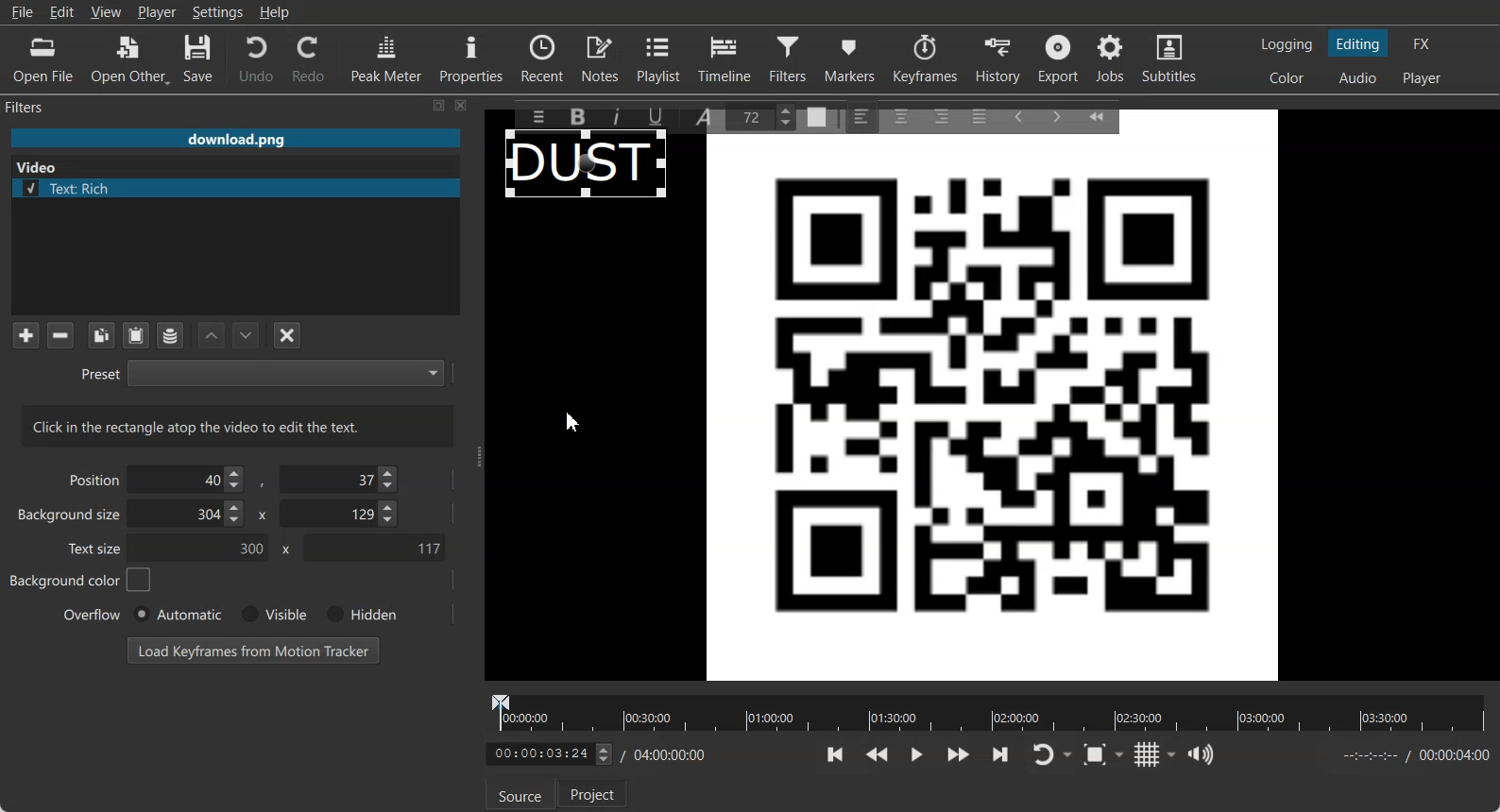 The width and height of the screenshot is (1500, 812). I want to click on Toggle grid display on the player, so click(1148, 754).